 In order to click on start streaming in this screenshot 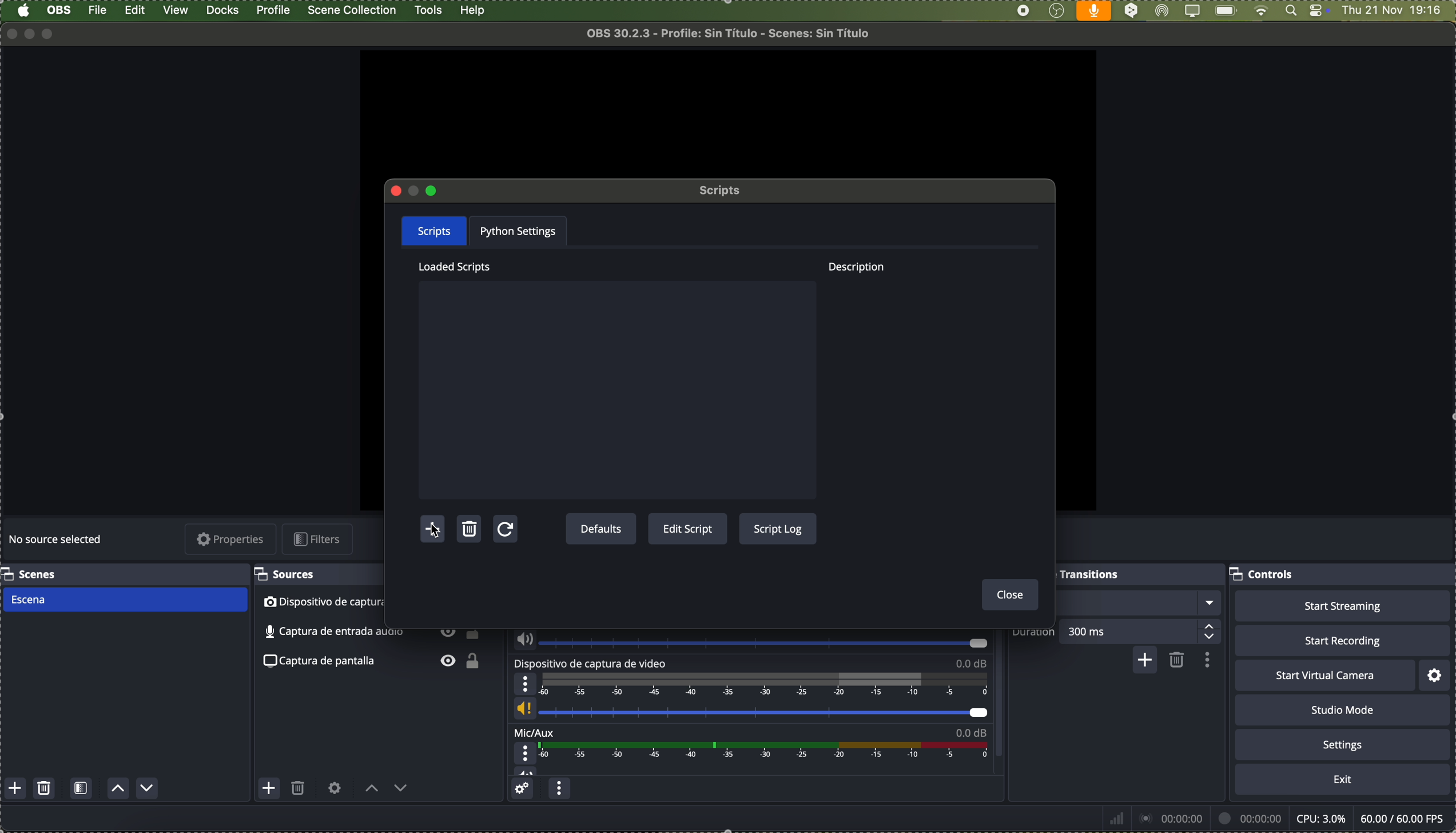, I will do `click(1342, 606)`.